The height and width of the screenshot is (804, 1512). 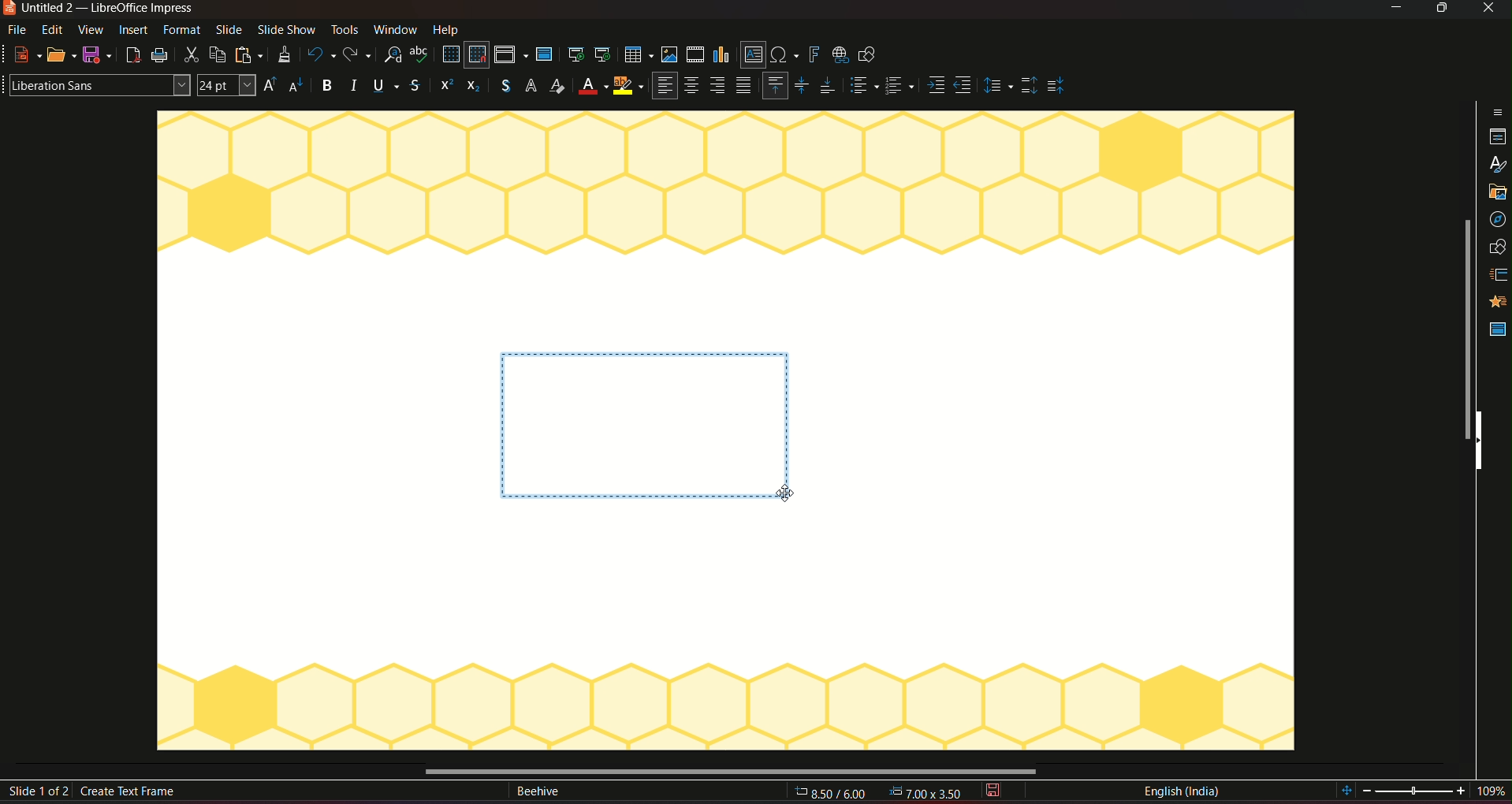 I want to click on minimize, so click(x=1394, y=9).